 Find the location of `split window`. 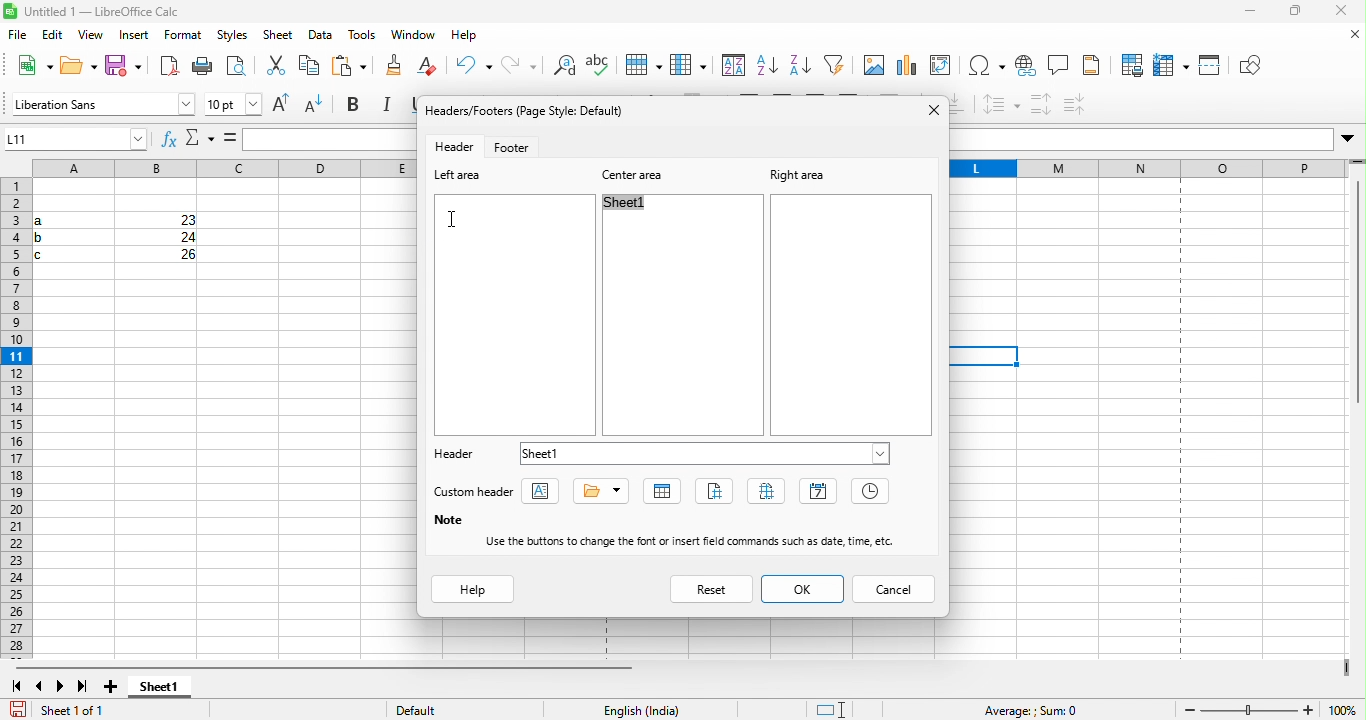

split window is located at coordinates (1209, 66).